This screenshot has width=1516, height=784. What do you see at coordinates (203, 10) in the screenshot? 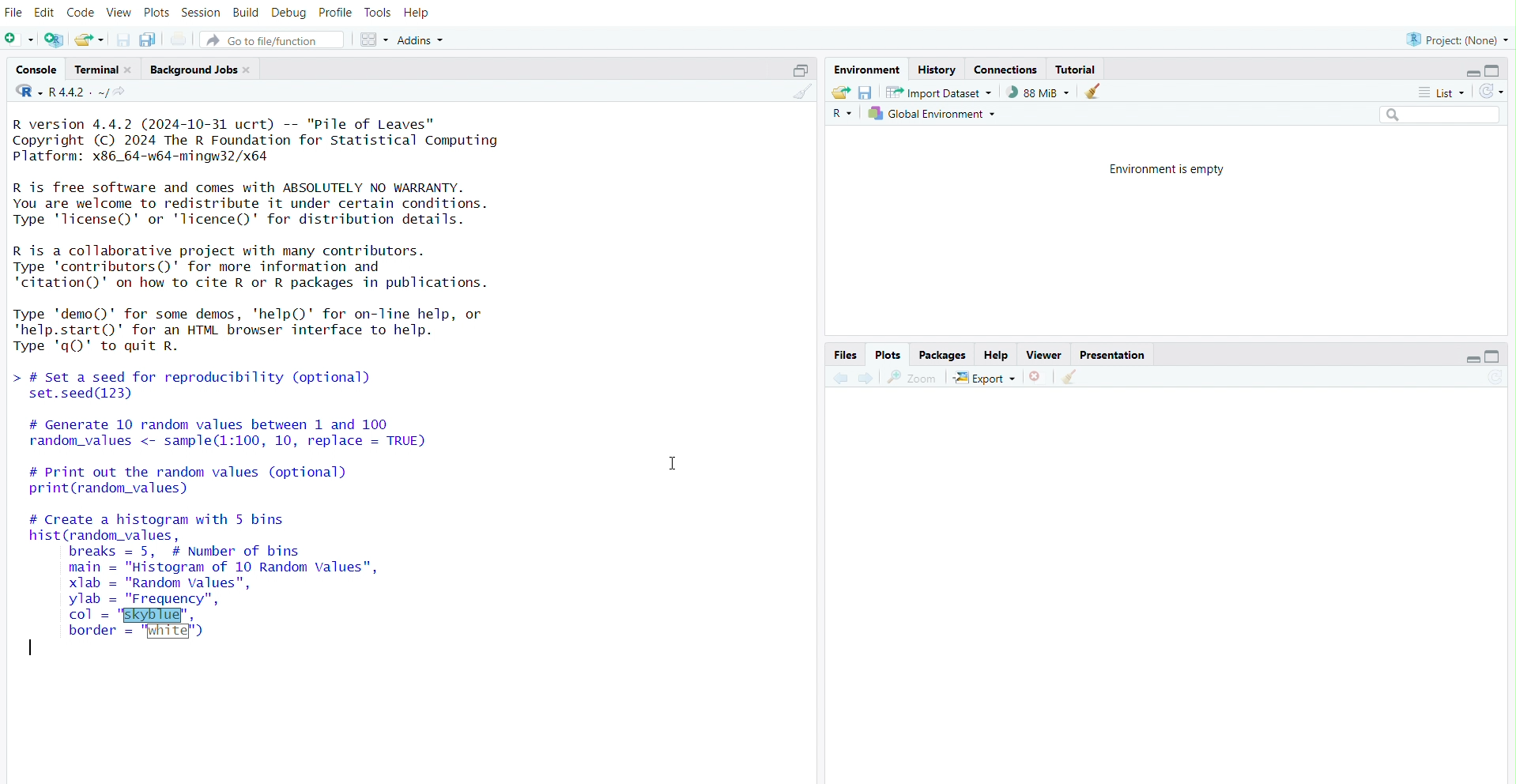
I see `session` at bounding box center [203, 10].